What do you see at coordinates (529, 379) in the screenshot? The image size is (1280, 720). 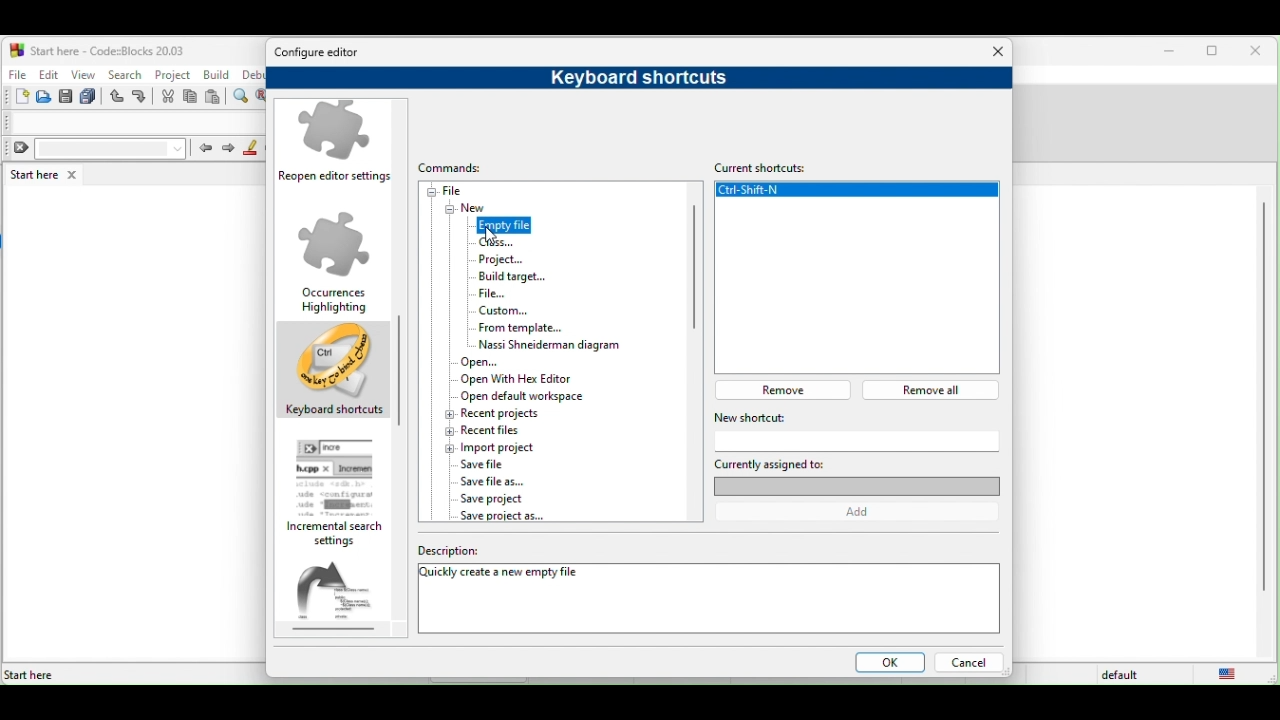 I see `open with hex editor` at bounding box center [529, 379].